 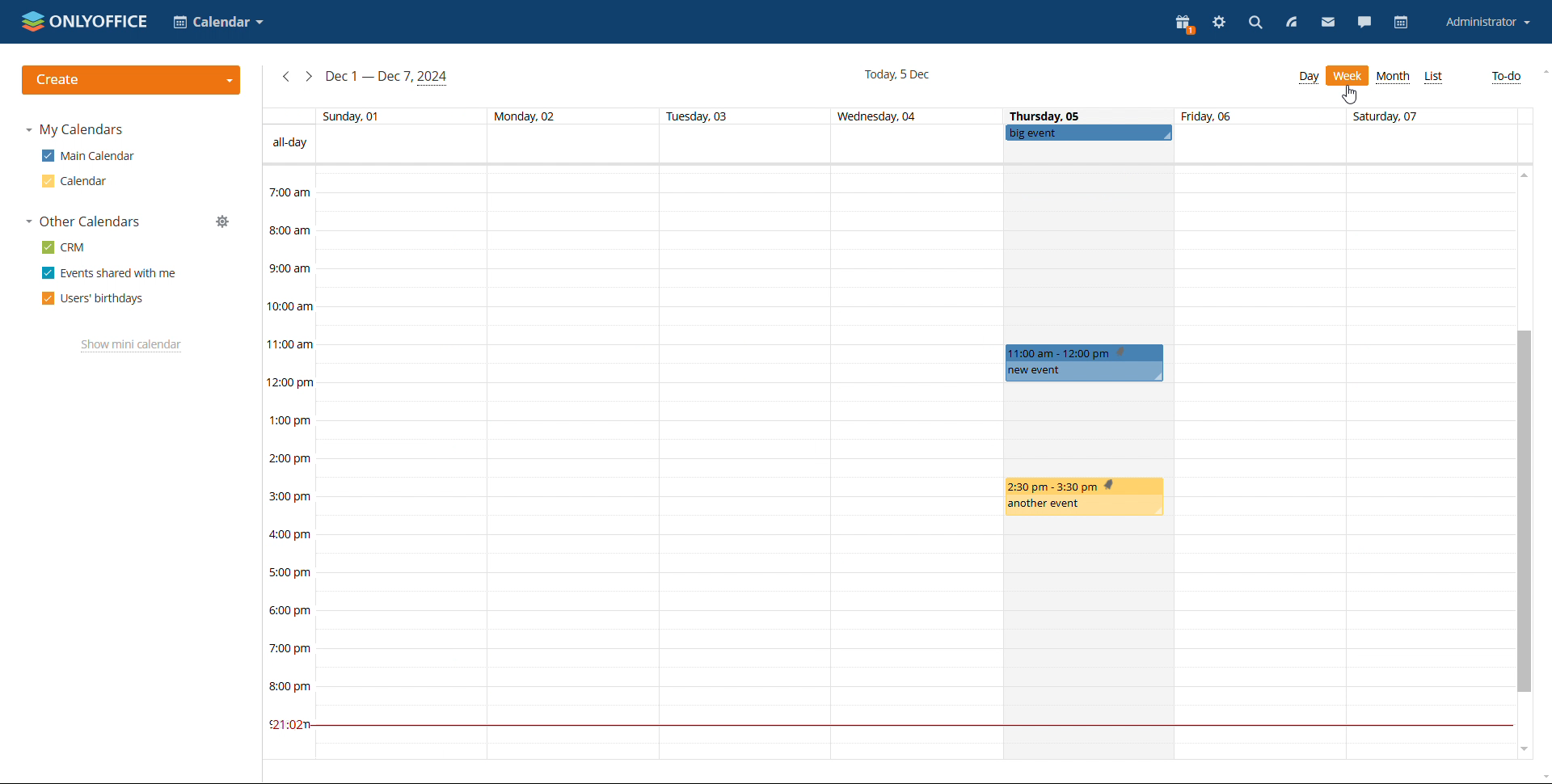 What do you see at coordinates (82, 221) in the screenshot?
I see `other calendars` at bounding box center [82, 221].